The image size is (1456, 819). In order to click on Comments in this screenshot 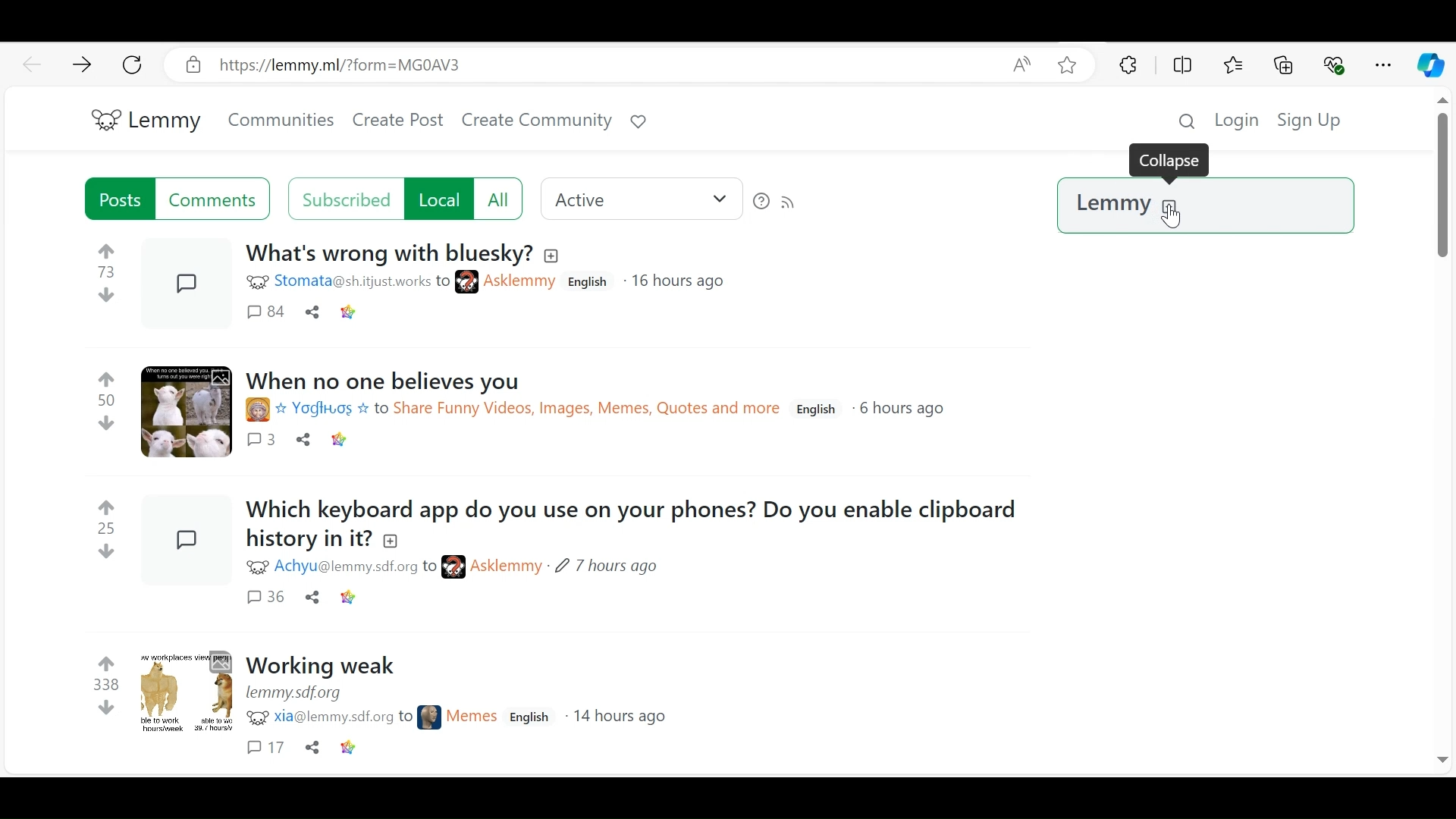, I will do `click(265, 598)`.